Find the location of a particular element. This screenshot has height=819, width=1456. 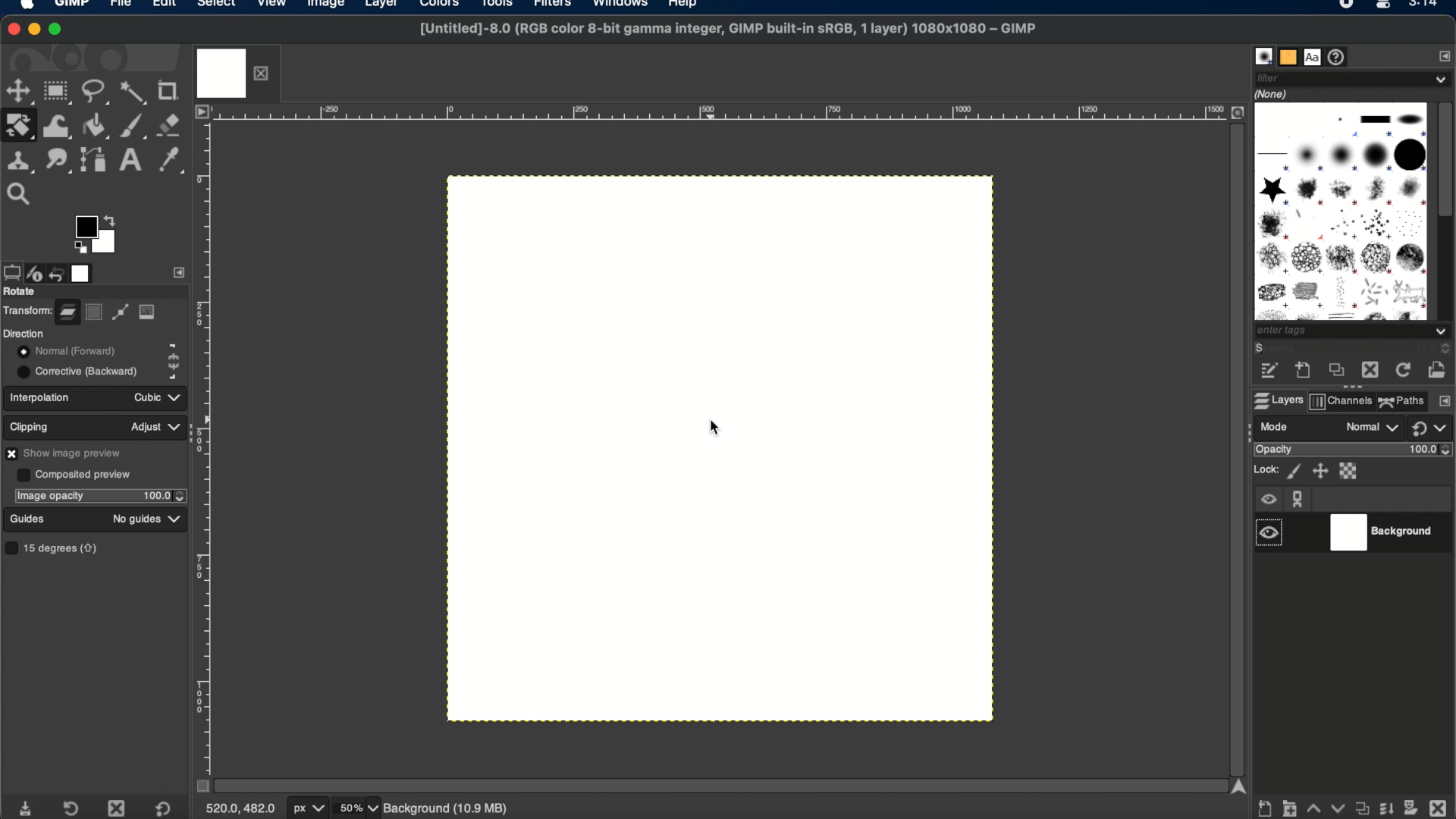

minimize is located at coordinates (36, 30).